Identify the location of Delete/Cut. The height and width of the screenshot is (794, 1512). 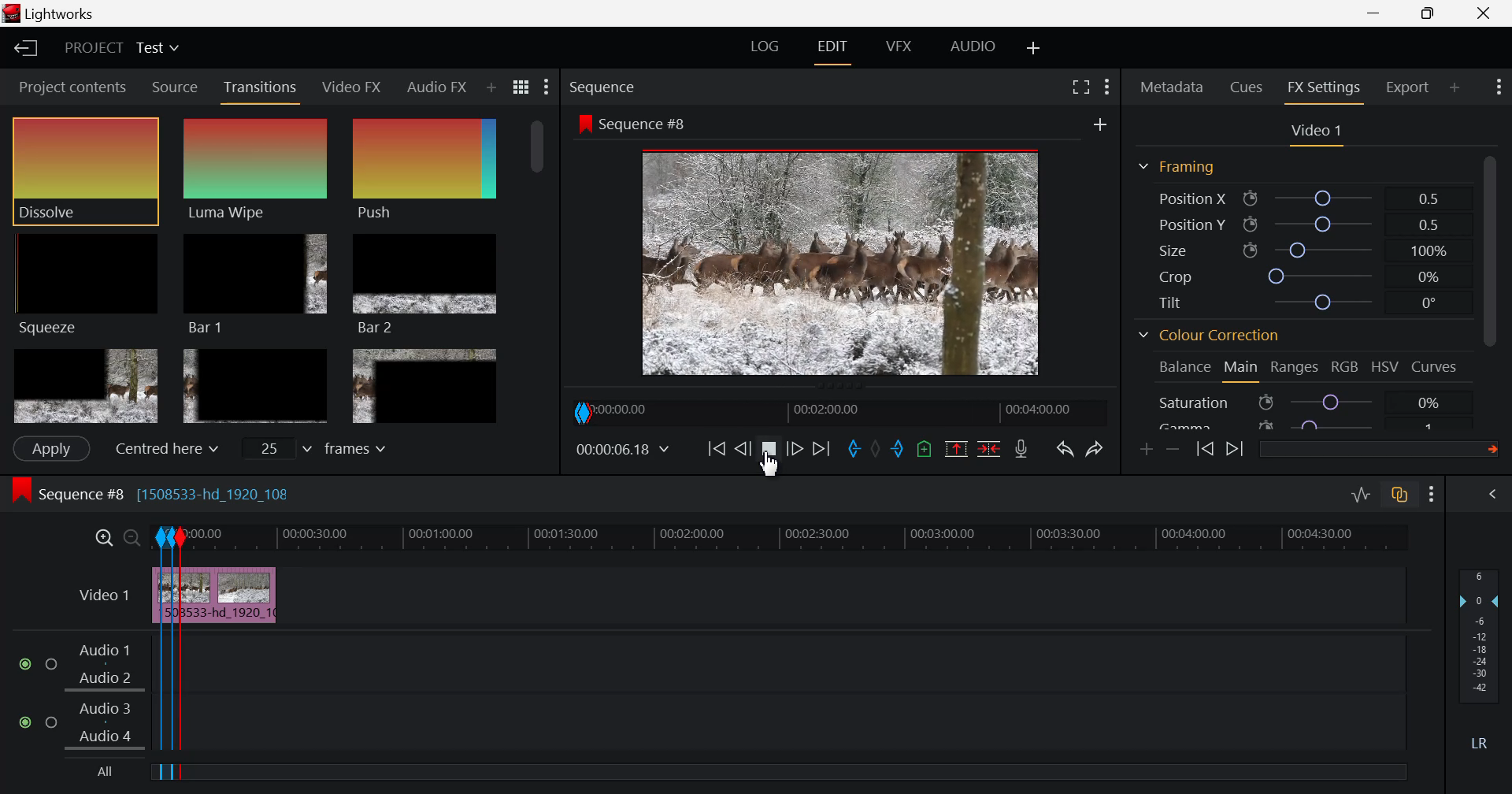
(989, 447).